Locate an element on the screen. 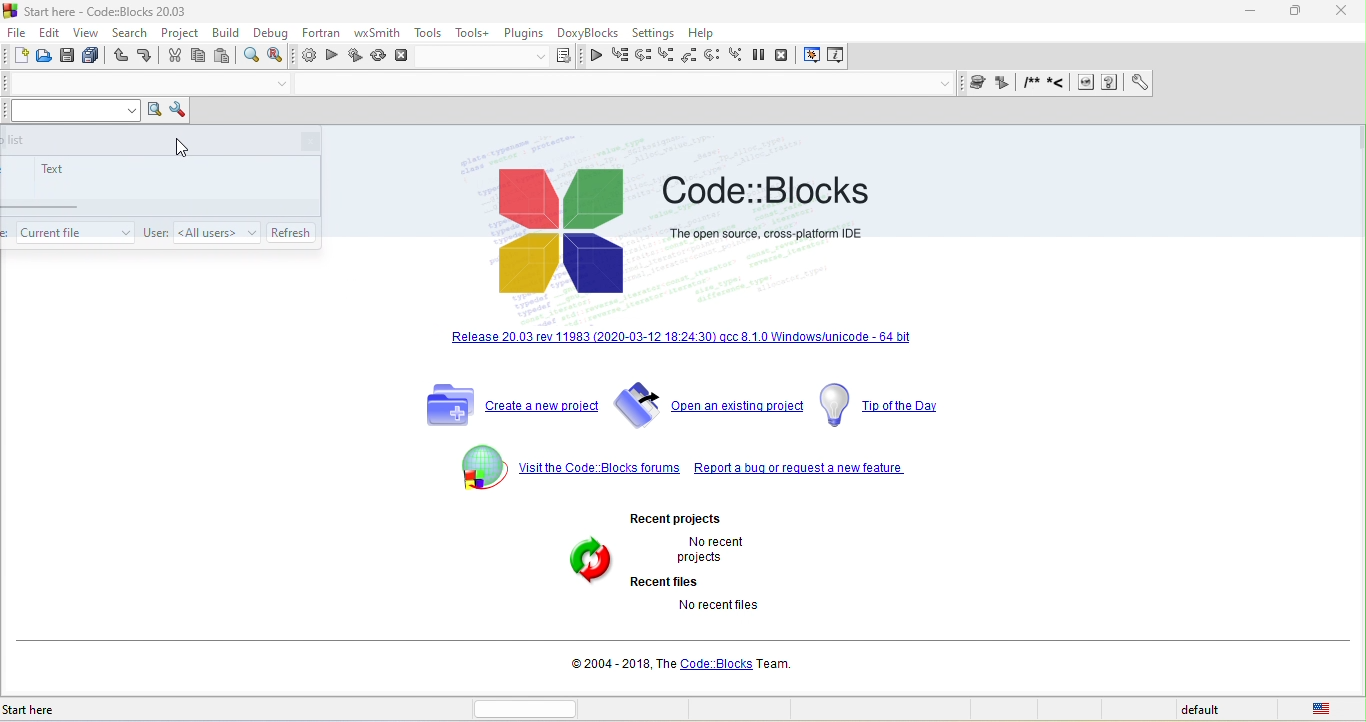 This screenshot has width=1366, height=722. save is located at coordinates (70, 56).